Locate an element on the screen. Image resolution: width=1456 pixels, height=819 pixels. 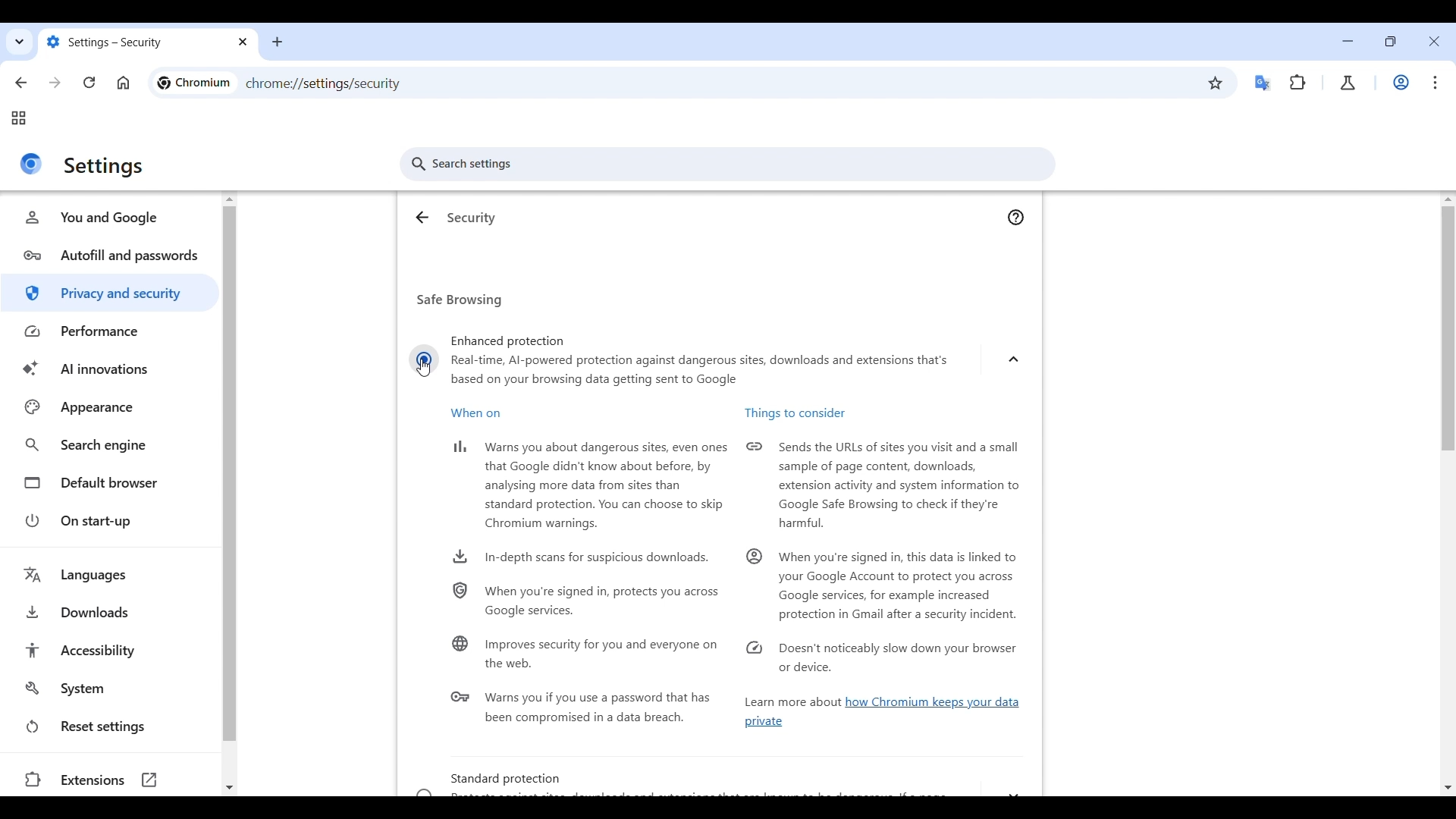
Click to collapse is located at coordinates (1013, 359).